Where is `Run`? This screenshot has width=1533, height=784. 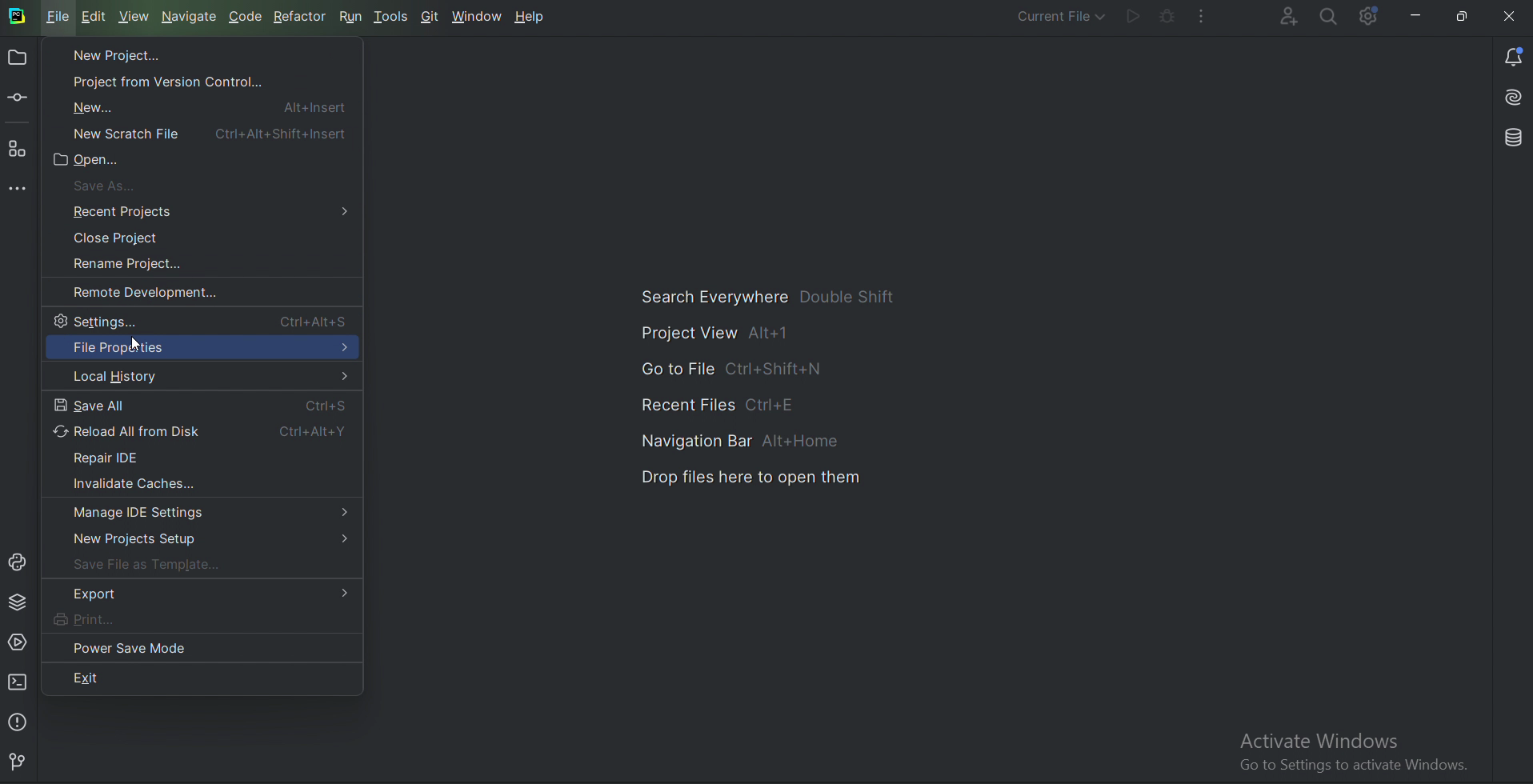 Run is located at coordinates (1134, 16).